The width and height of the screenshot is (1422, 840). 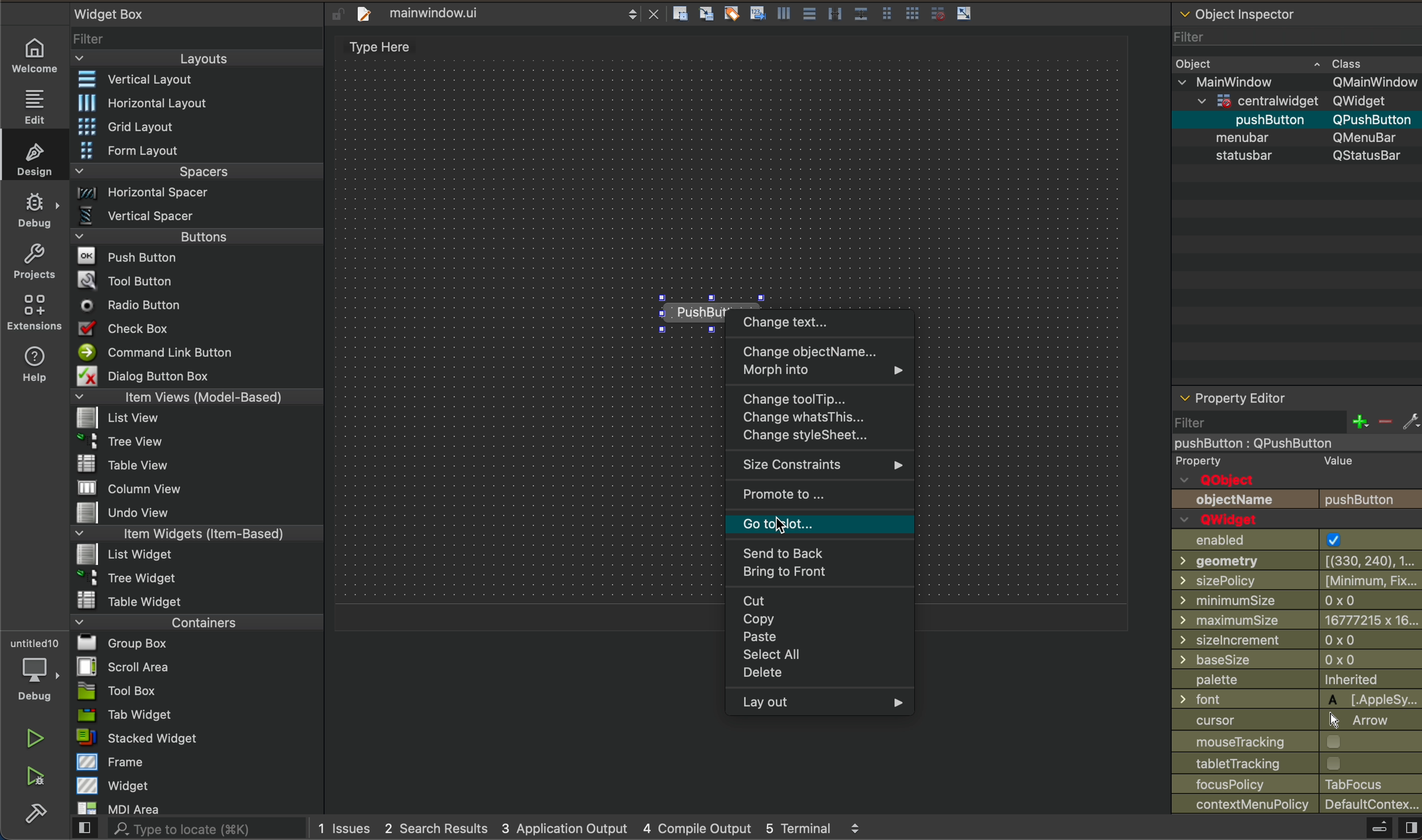 I want to click on table view, so click(x=194, y=465).